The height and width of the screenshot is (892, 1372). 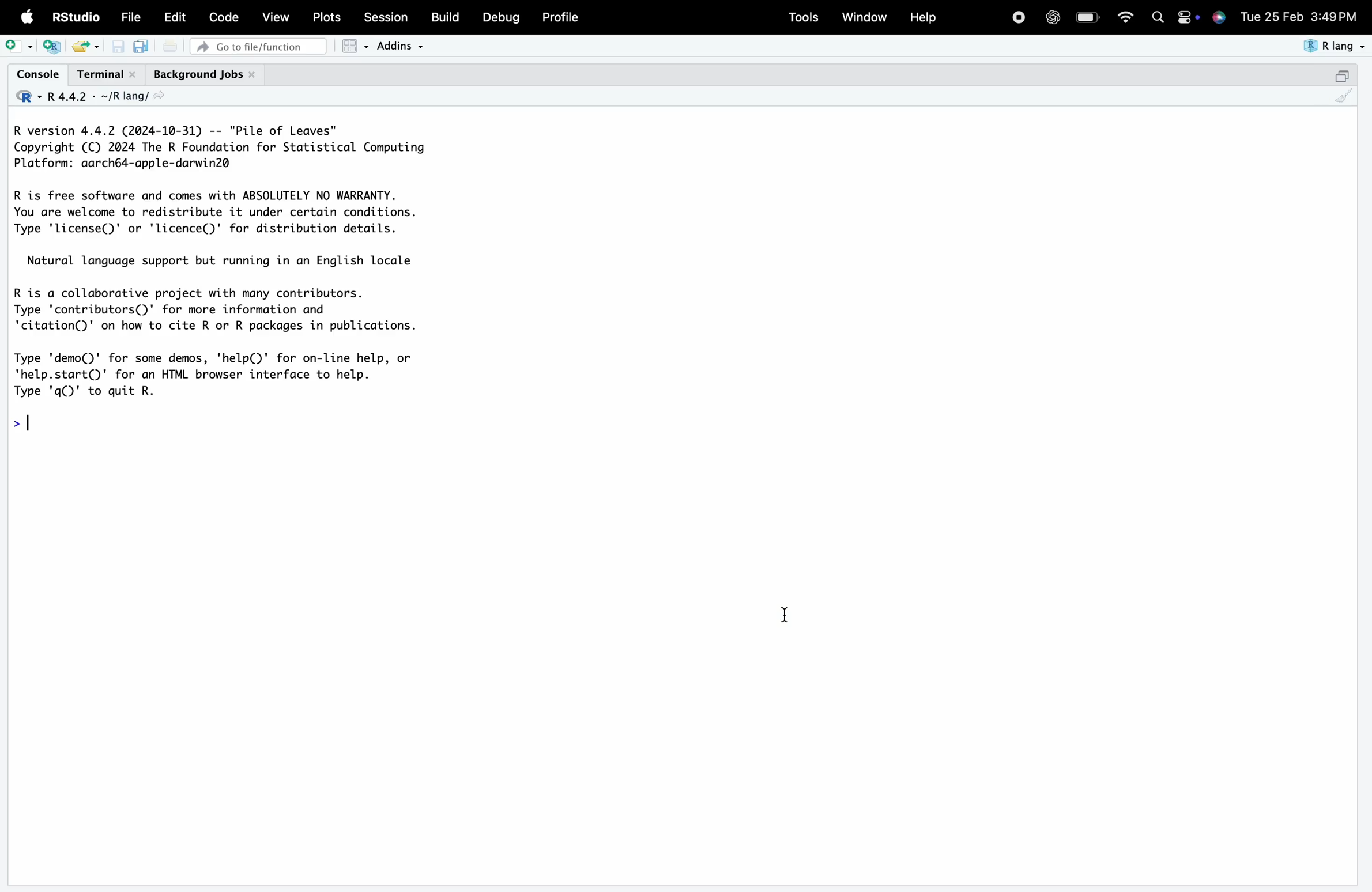 What do you see at coordinates (1187, 17) in the screenshot?
I see `settings` at bounding box center [1187, 17].